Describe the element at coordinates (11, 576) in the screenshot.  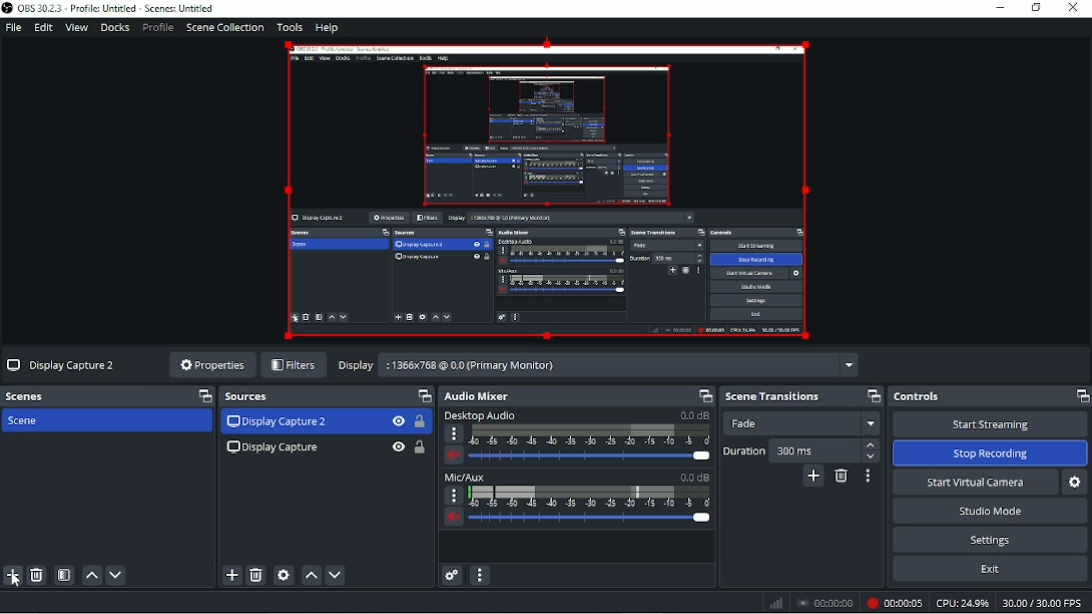
I see `Add scene` at that location.